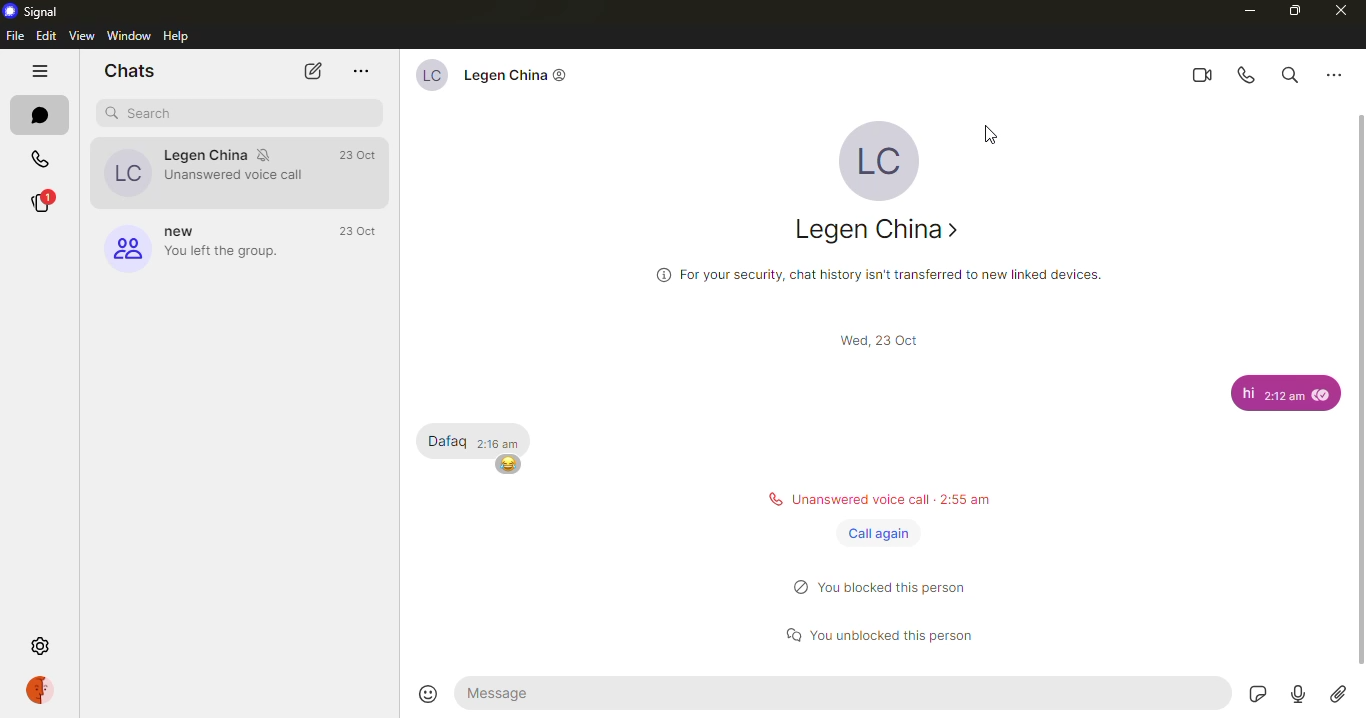  What do you see at coordinates (204, 174) in the screenshot?
I see `contact muted` at bounding box center [204, 174].